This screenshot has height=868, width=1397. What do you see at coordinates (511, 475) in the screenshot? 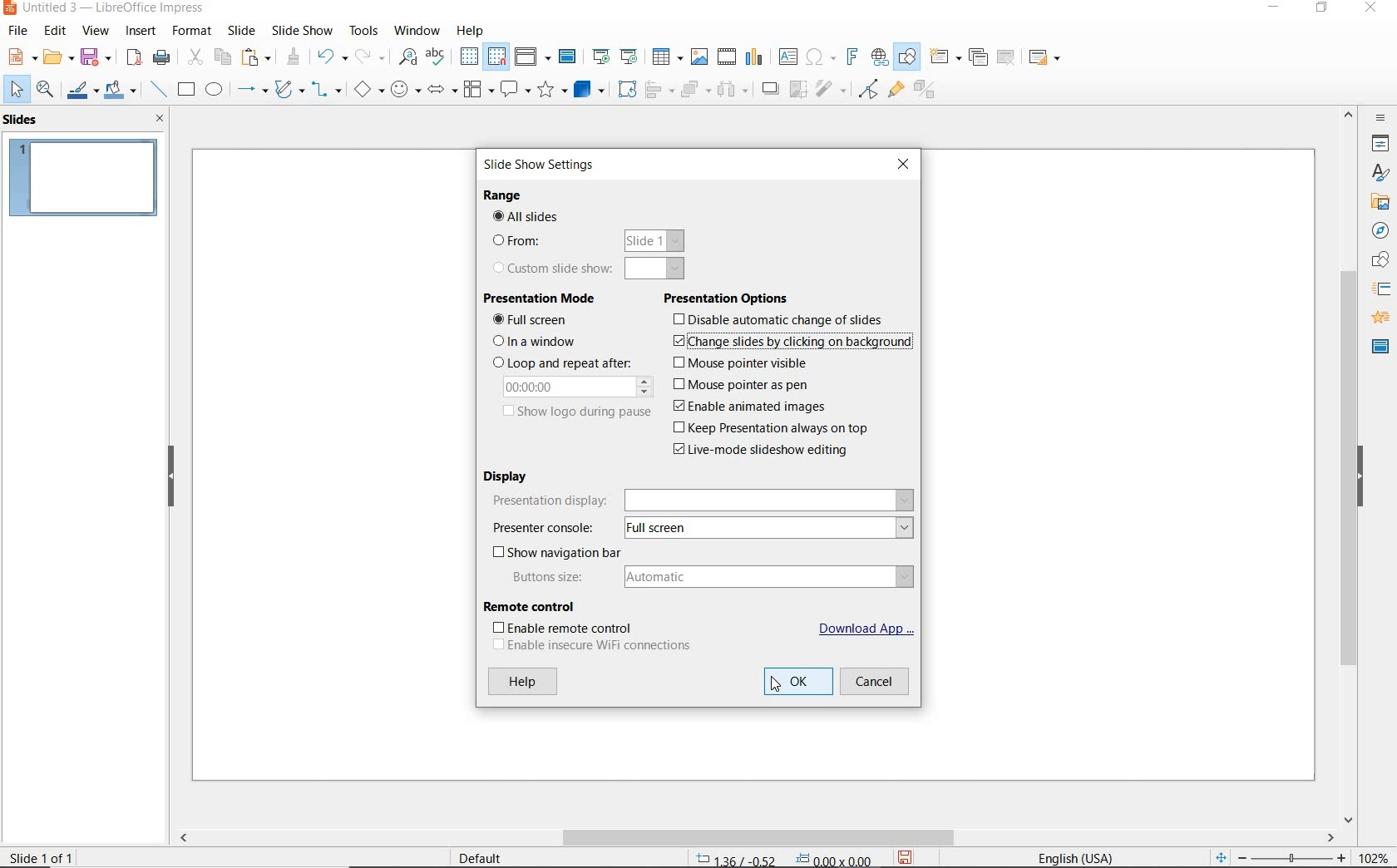
I see `DISPLAY` at bounding box center [511, 475].